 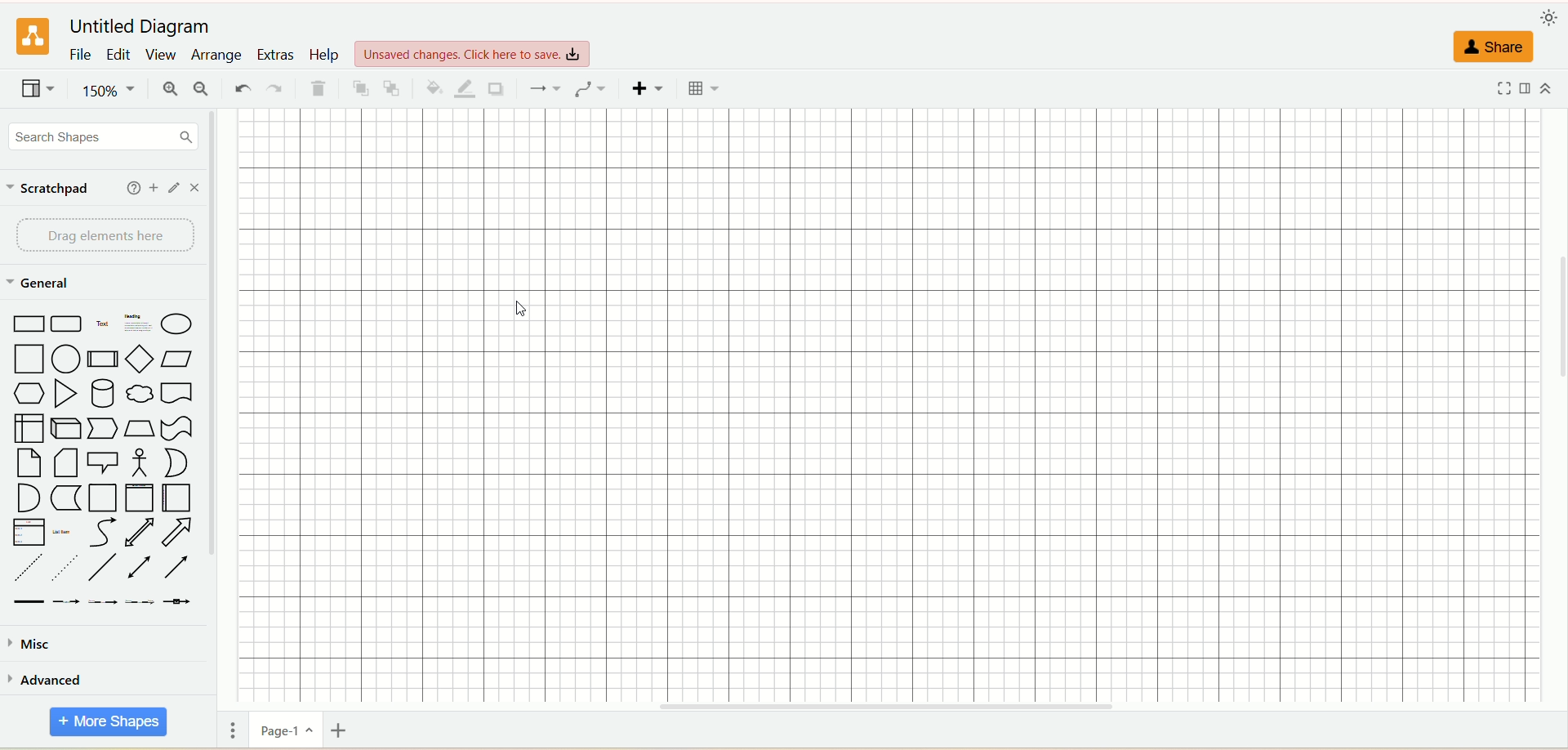 I want to click on more shapes, so click(x=107, y=722).